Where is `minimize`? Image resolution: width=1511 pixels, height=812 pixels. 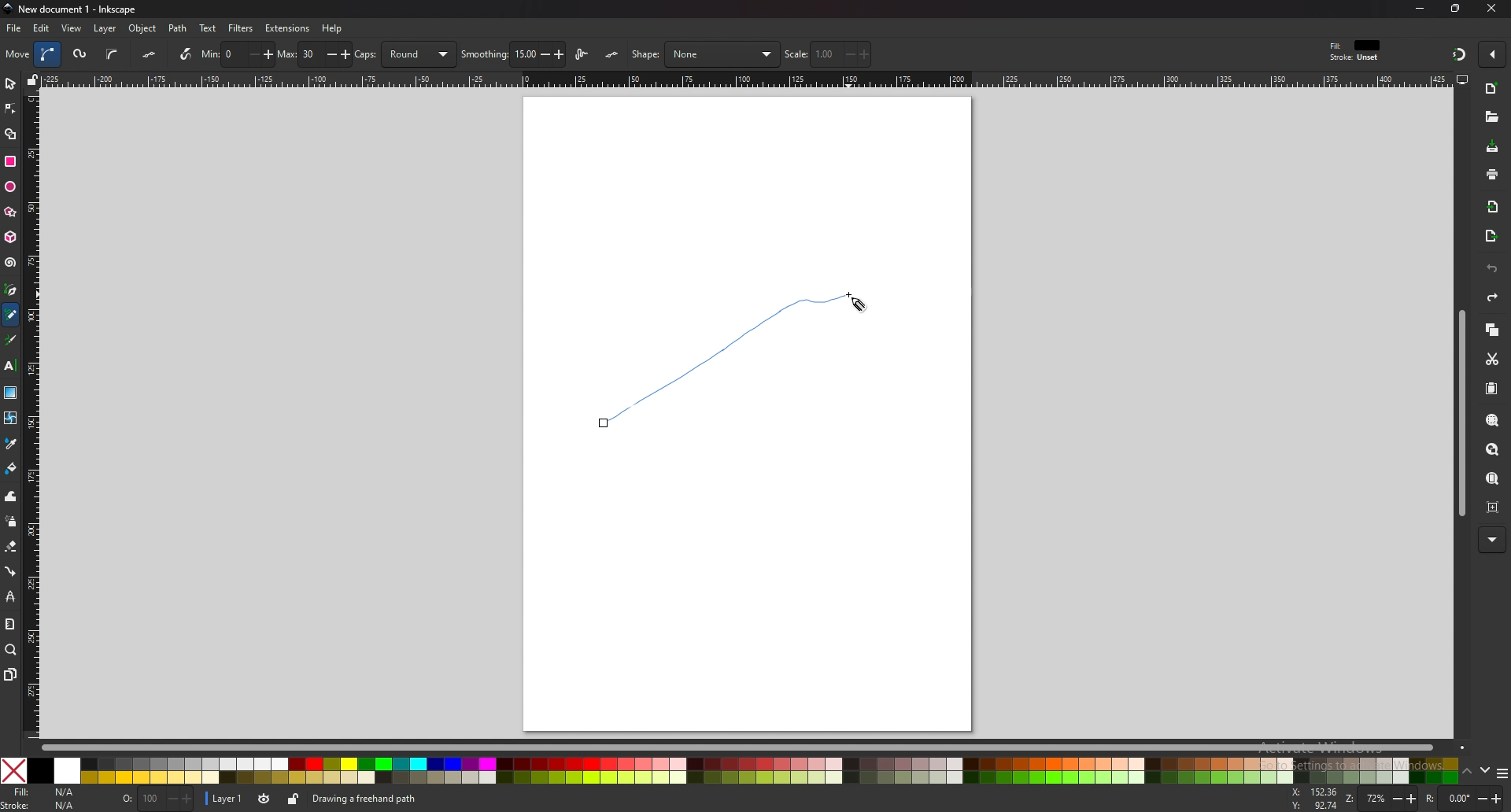 minimize is located at coordinates (1419, 9).